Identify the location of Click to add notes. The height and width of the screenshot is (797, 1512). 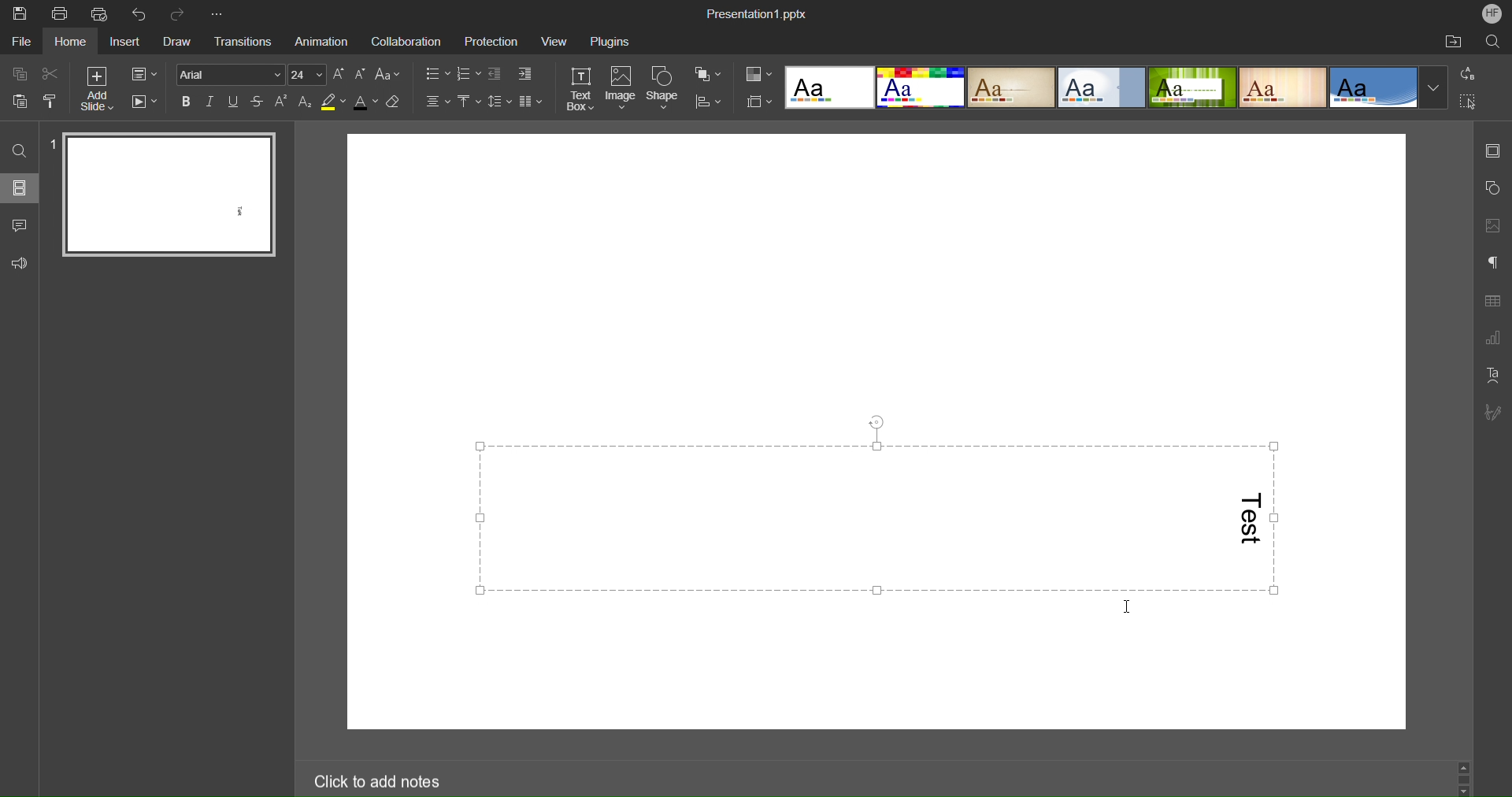
(431, 780).